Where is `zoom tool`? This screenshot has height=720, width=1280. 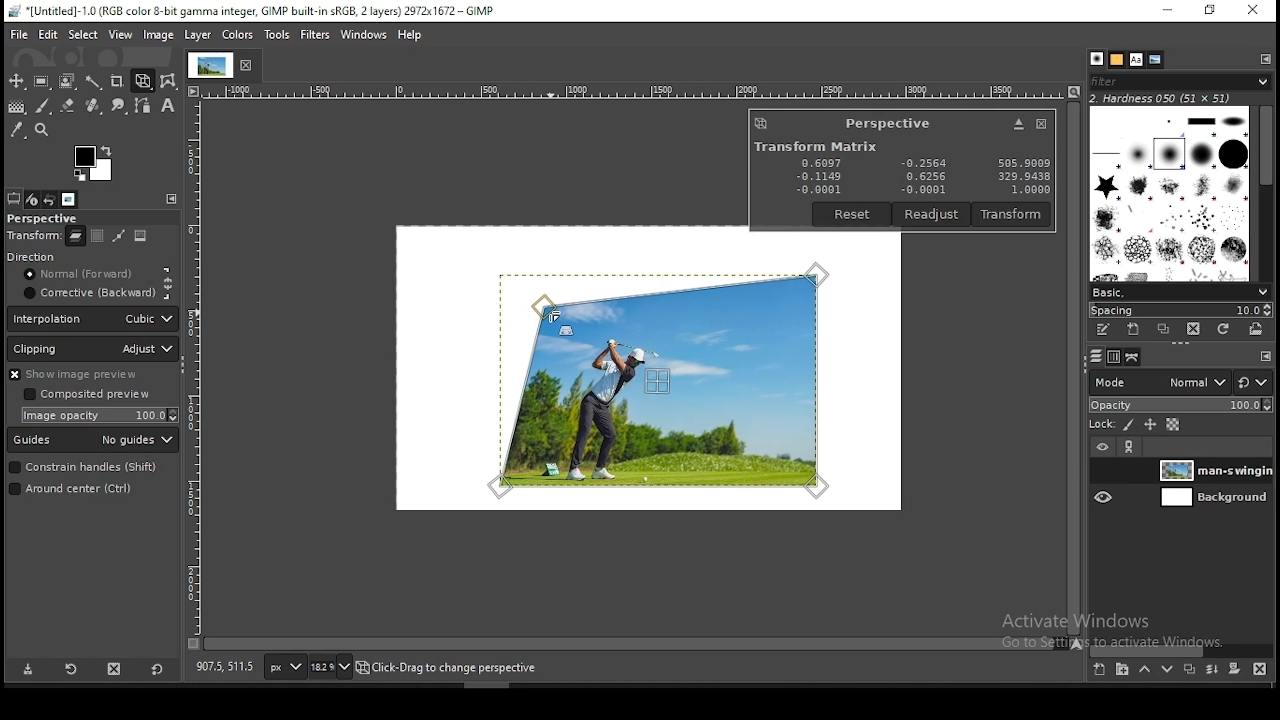 zoom tool is located at coordinates (42, 131).